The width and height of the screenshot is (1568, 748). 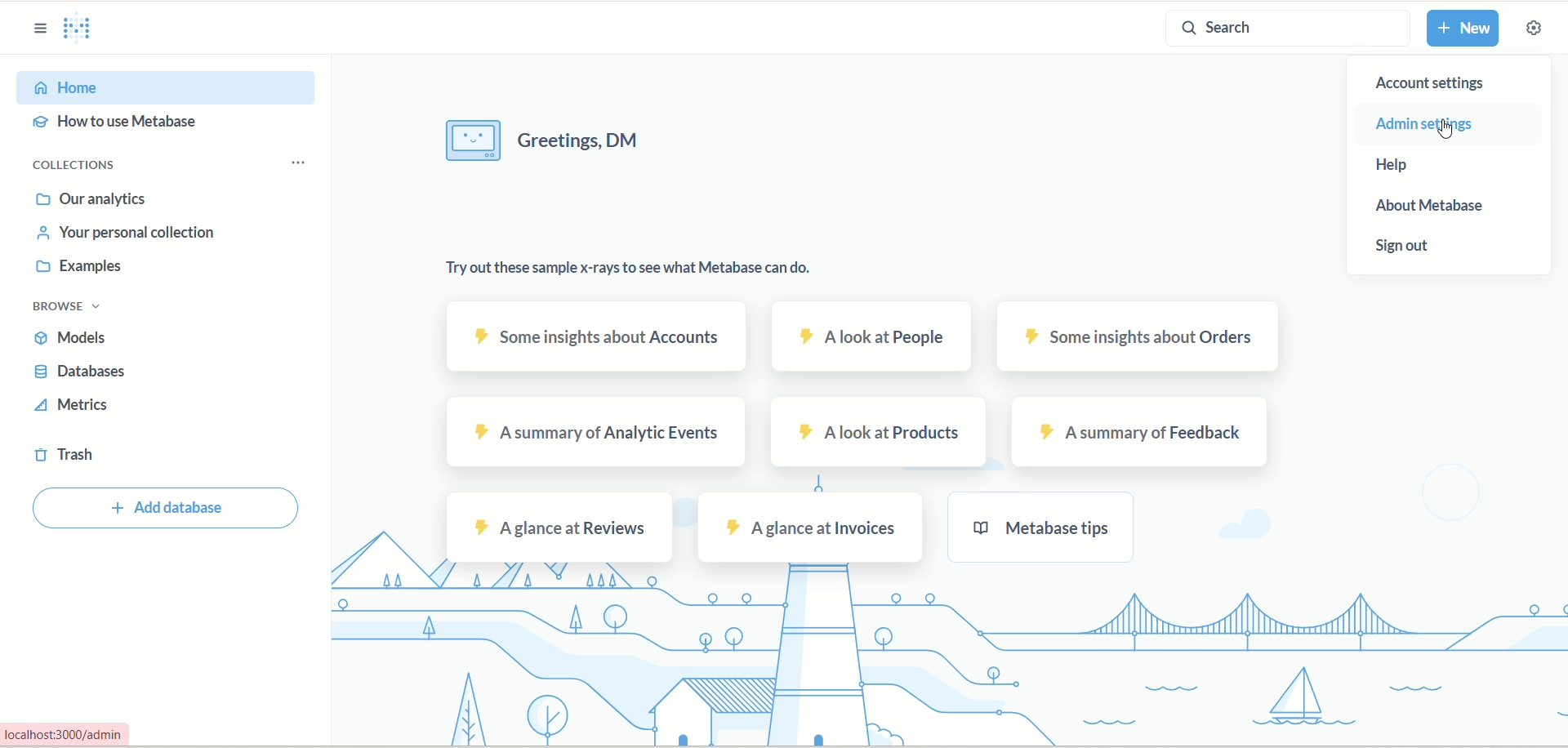 What do you see at coordinates (552, 143) in the screenshot?
I see `Greetings,DM` at bounding box center [552, 143].